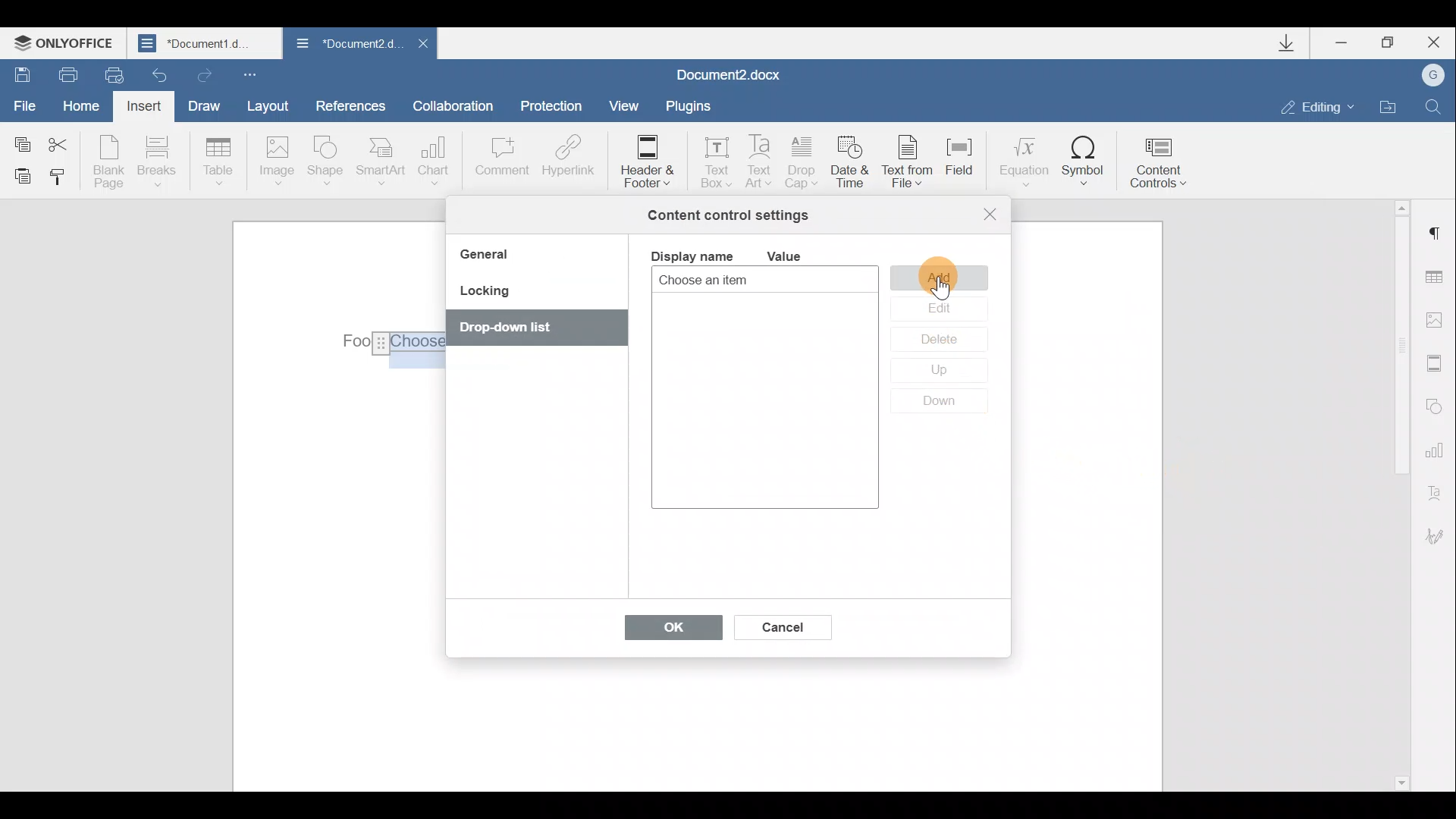  I want to click on ONLYOFFICE, so click(67, 42).